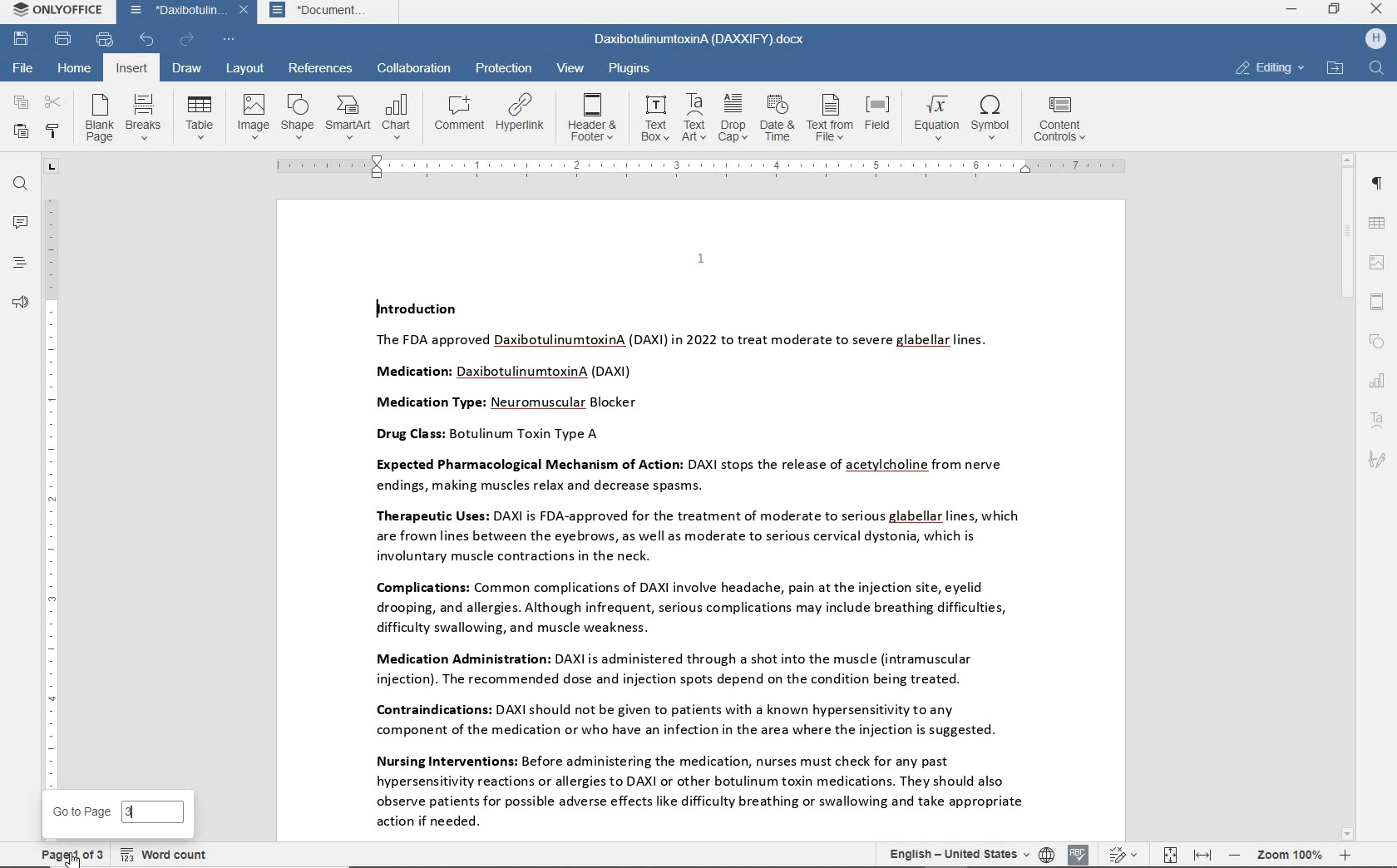 This screenshot has width=1397, height=868. I want to click on text box, so click(654, 118).